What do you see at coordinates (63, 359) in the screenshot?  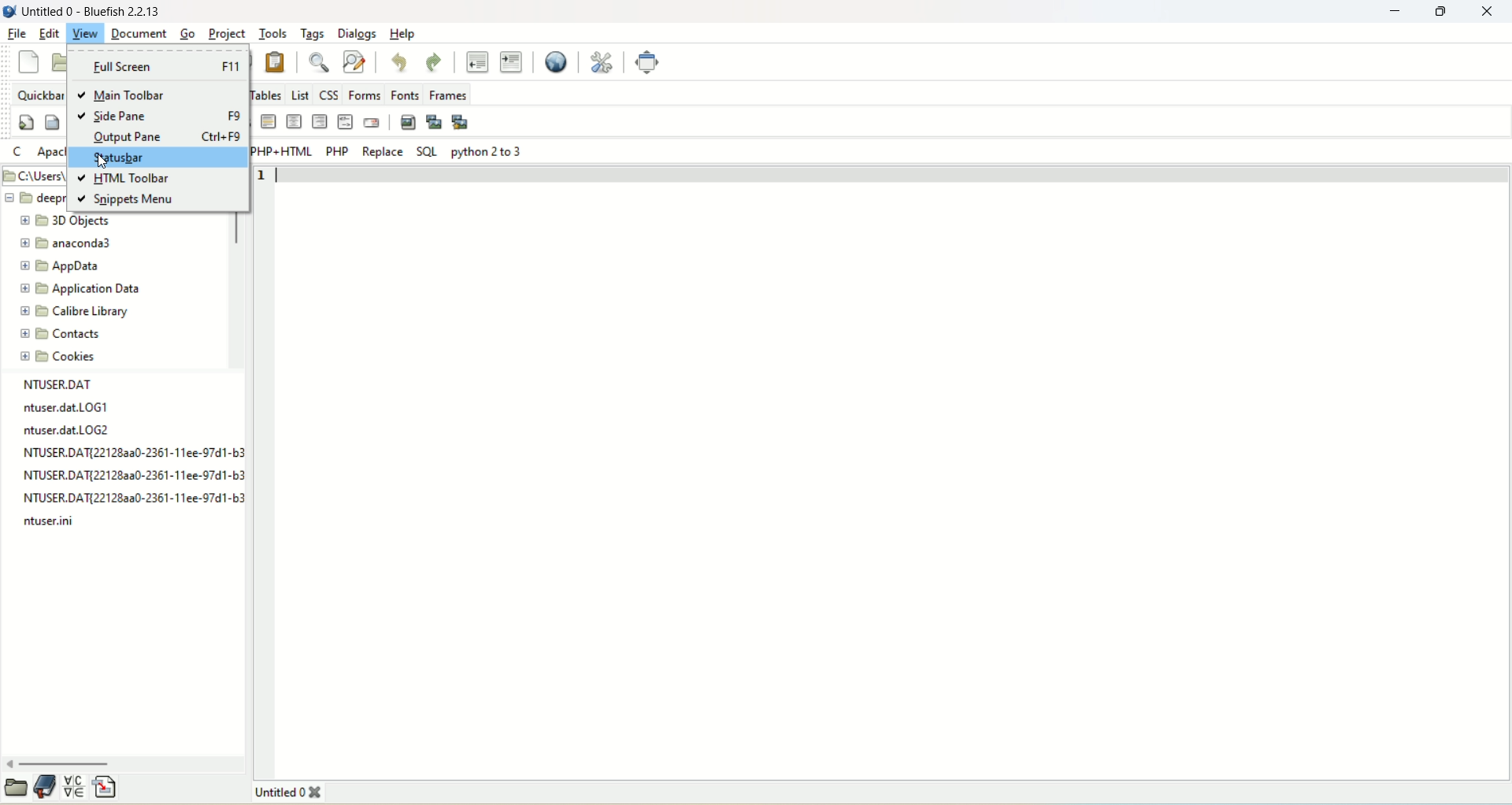 I see `cookies` at bounding box center [63, 359].